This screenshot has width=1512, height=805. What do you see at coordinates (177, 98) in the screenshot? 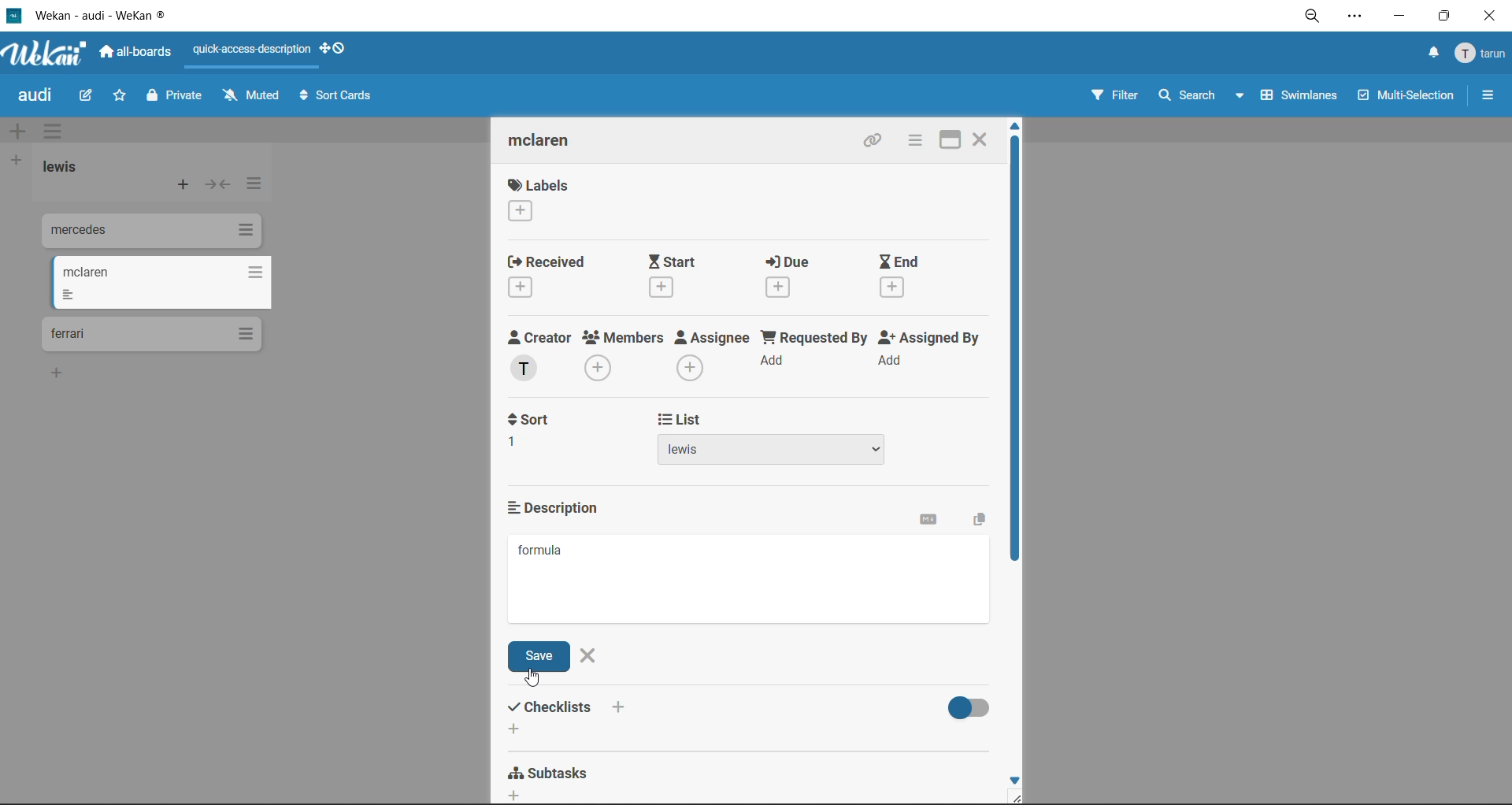
I see `private` at bounding box center [177, 98].